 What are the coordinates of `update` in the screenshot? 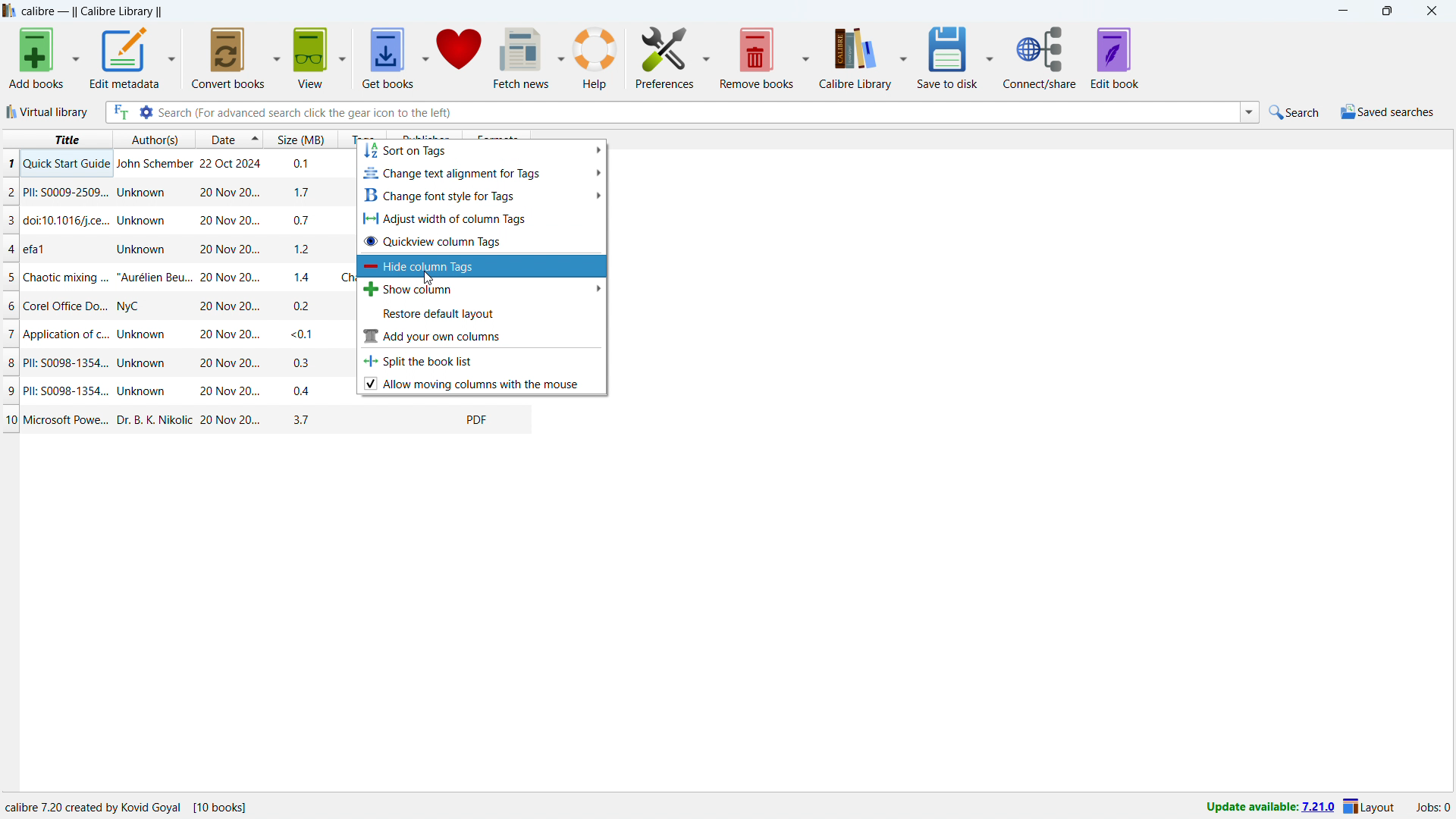 It's located at (1269, 808).